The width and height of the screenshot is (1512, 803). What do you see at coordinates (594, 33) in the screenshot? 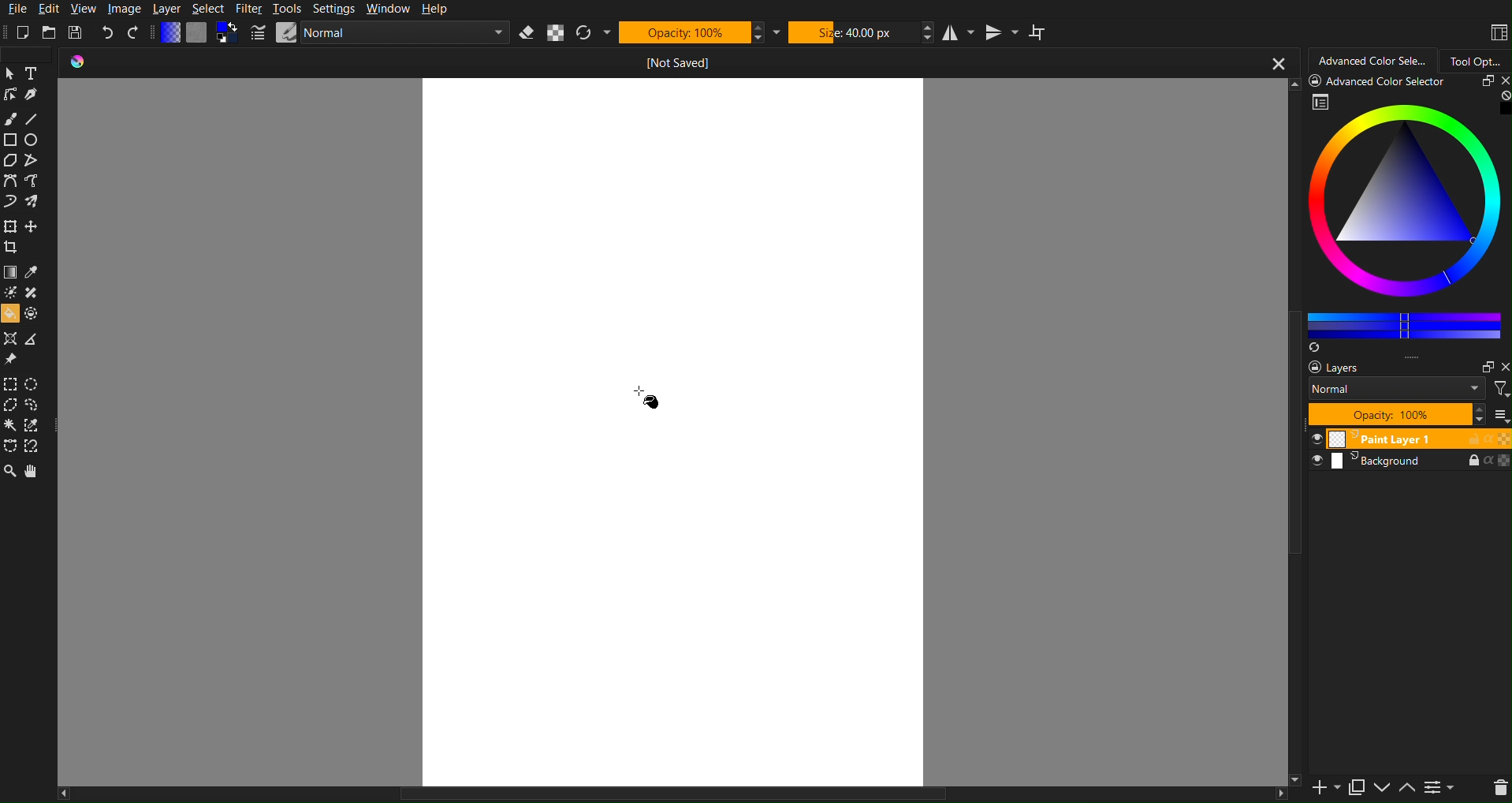
I see `Refresh` at bounding box center [594, 33].